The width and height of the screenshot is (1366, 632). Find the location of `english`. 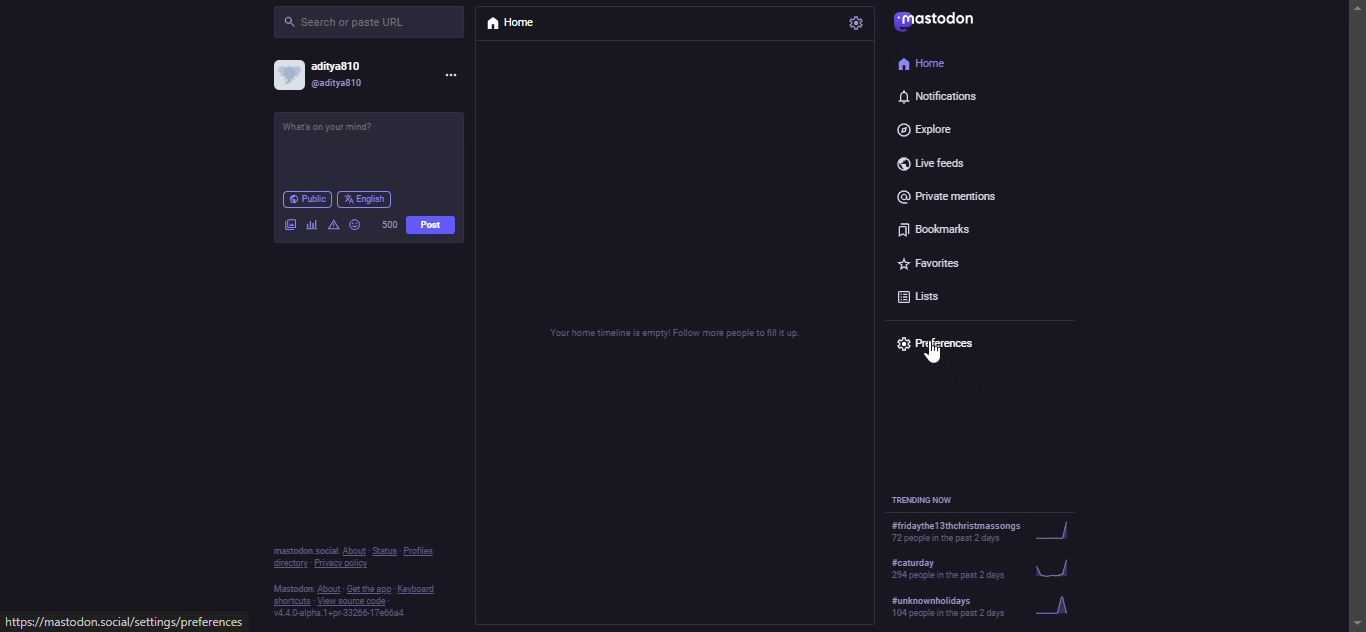

english is located at coordinates (365, 198).